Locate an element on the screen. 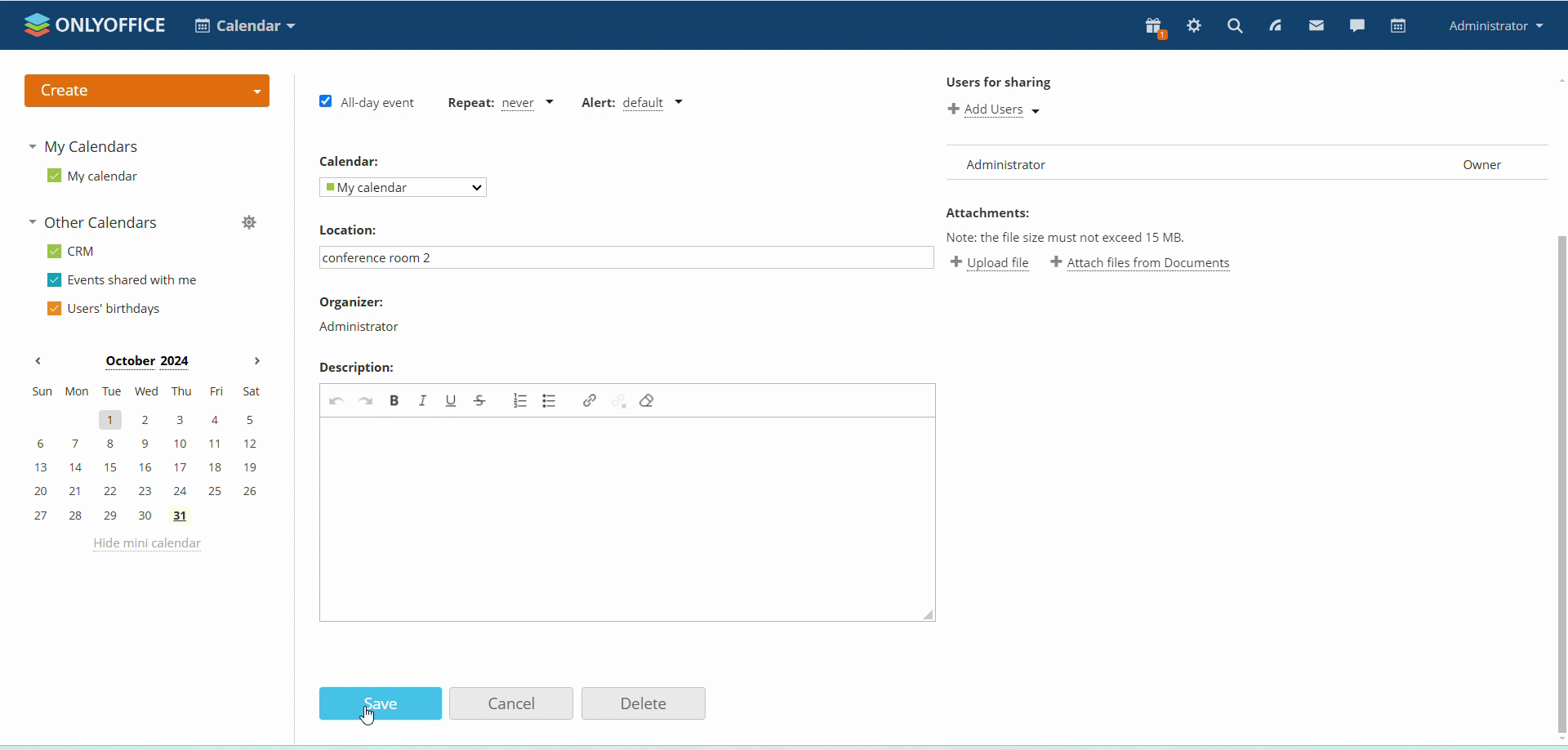 This screenshot has width=1568, height=750. edit event description is located at coordinates (627, 520).